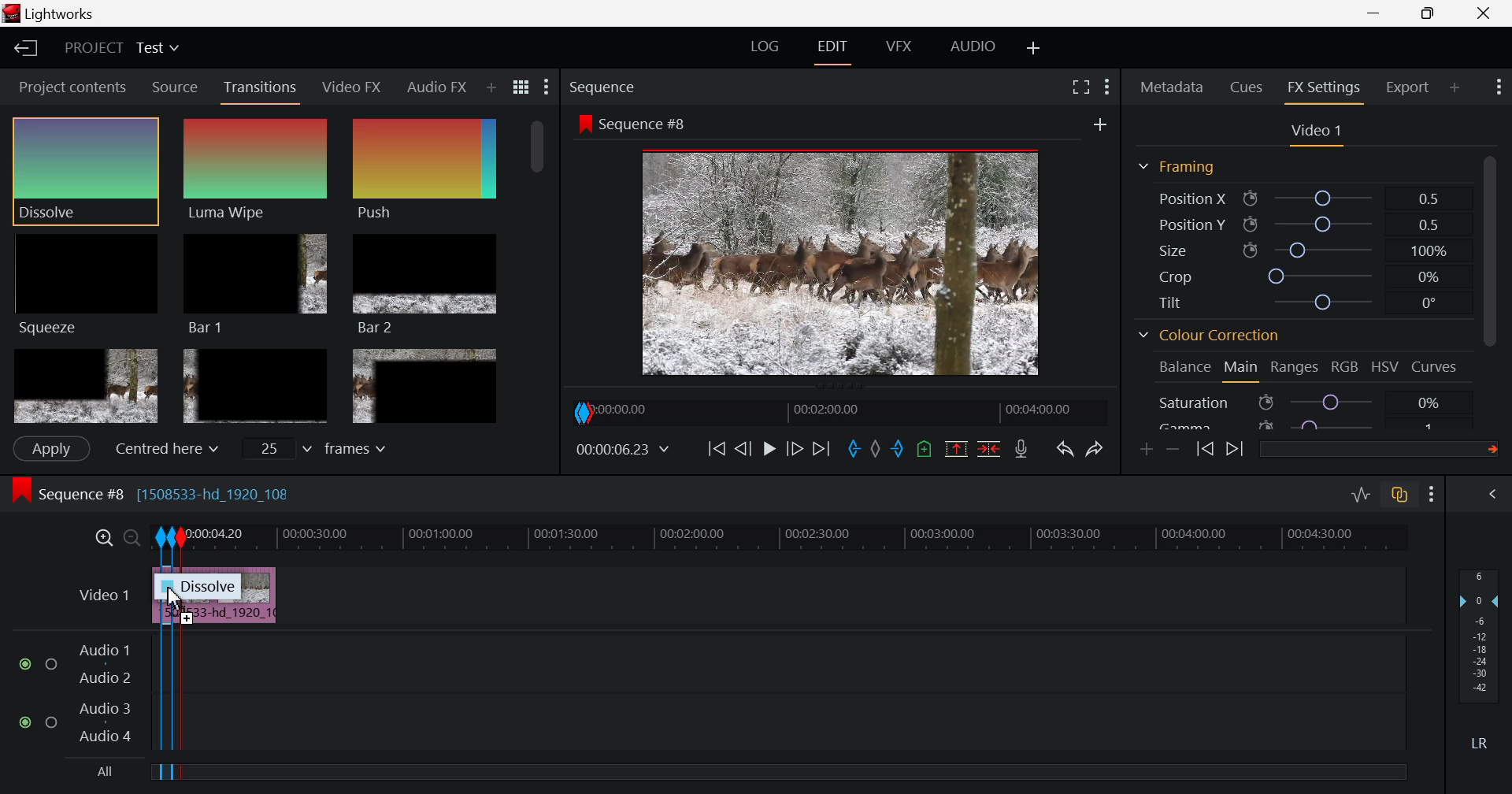 This screenshot has height=794, width=1512. I want to click on Remove keyframe, so click(1173, 451).